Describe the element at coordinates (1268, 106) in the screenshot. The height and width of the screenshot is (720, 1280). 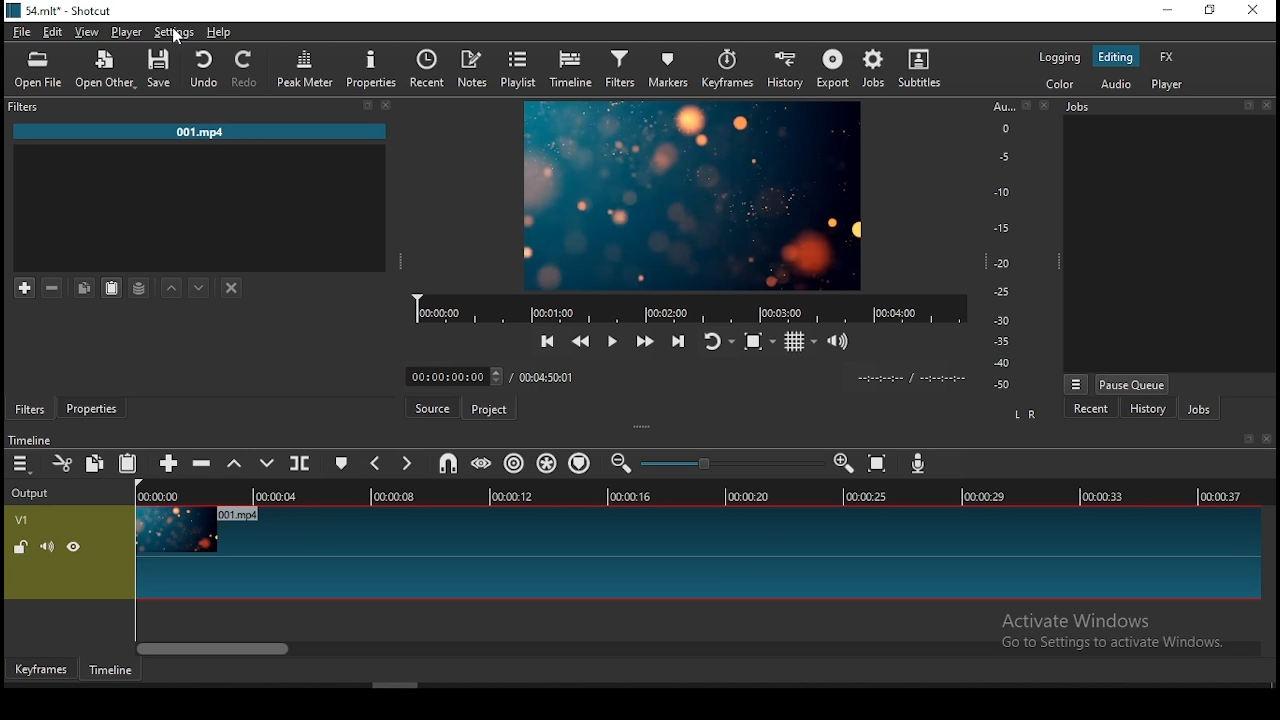
I see `close` at that location.